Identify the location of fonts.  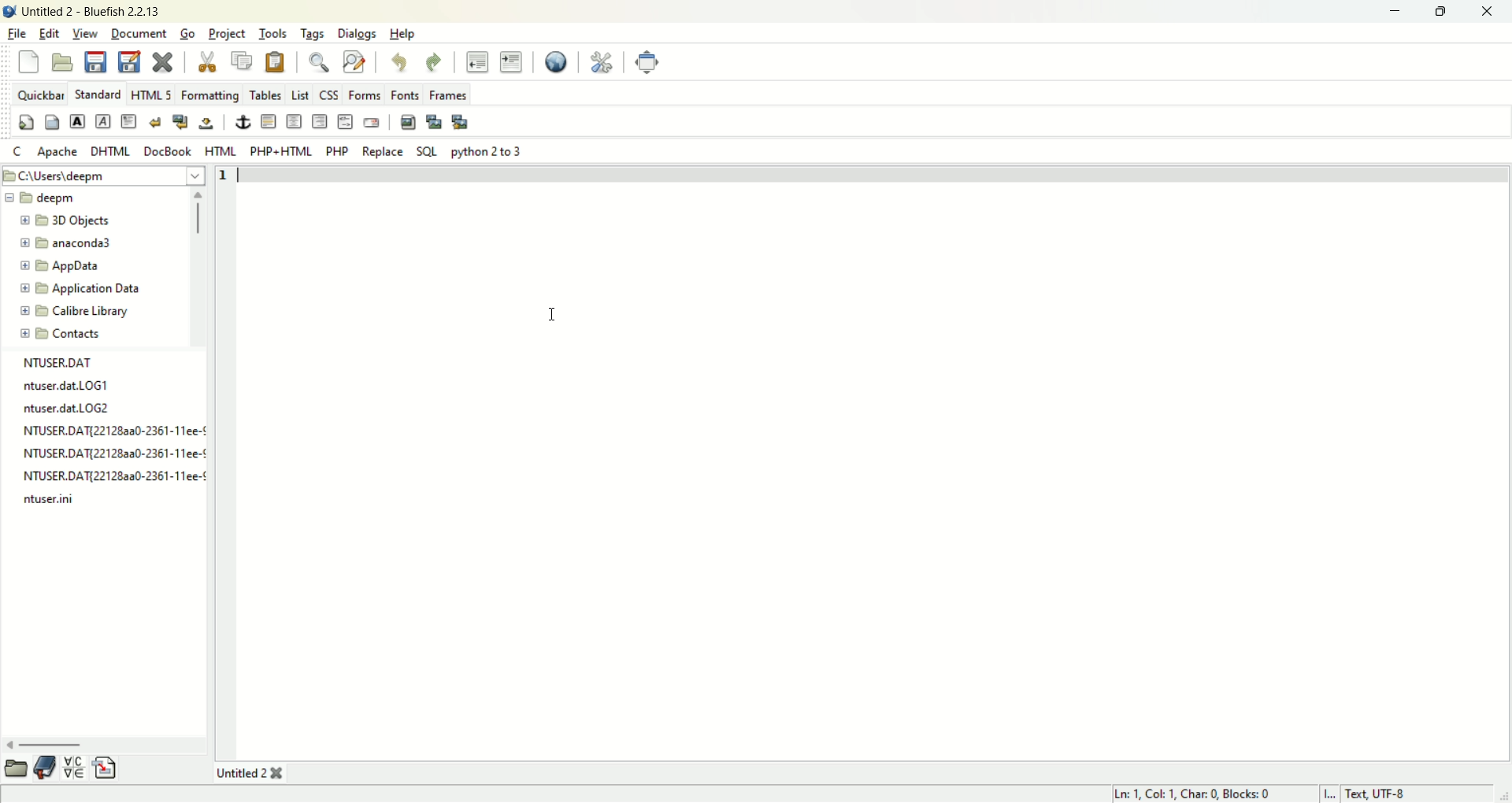
(406, 93).